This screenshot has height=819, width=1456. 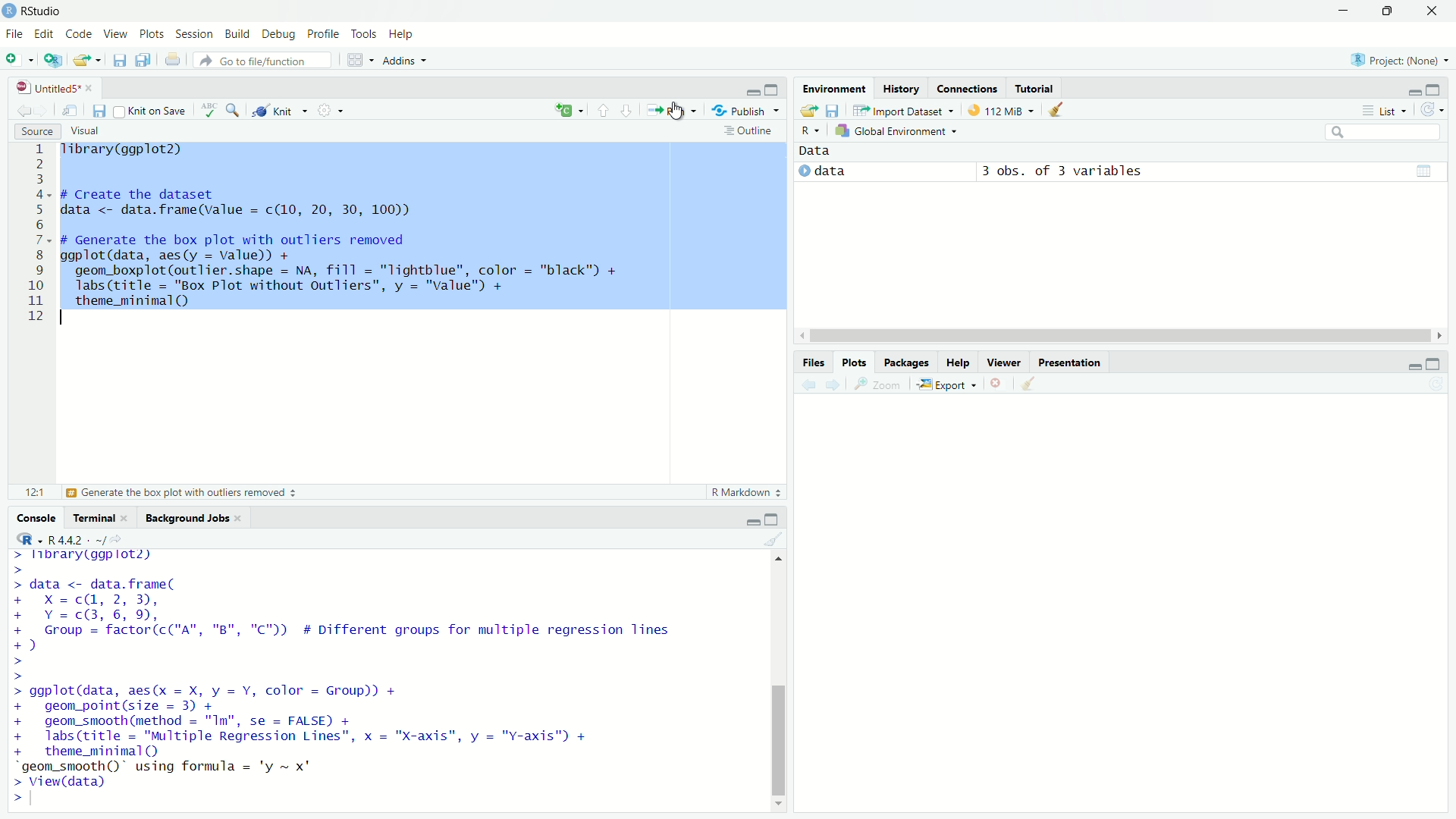 I want to click on clear, so click(x=775, y=539).